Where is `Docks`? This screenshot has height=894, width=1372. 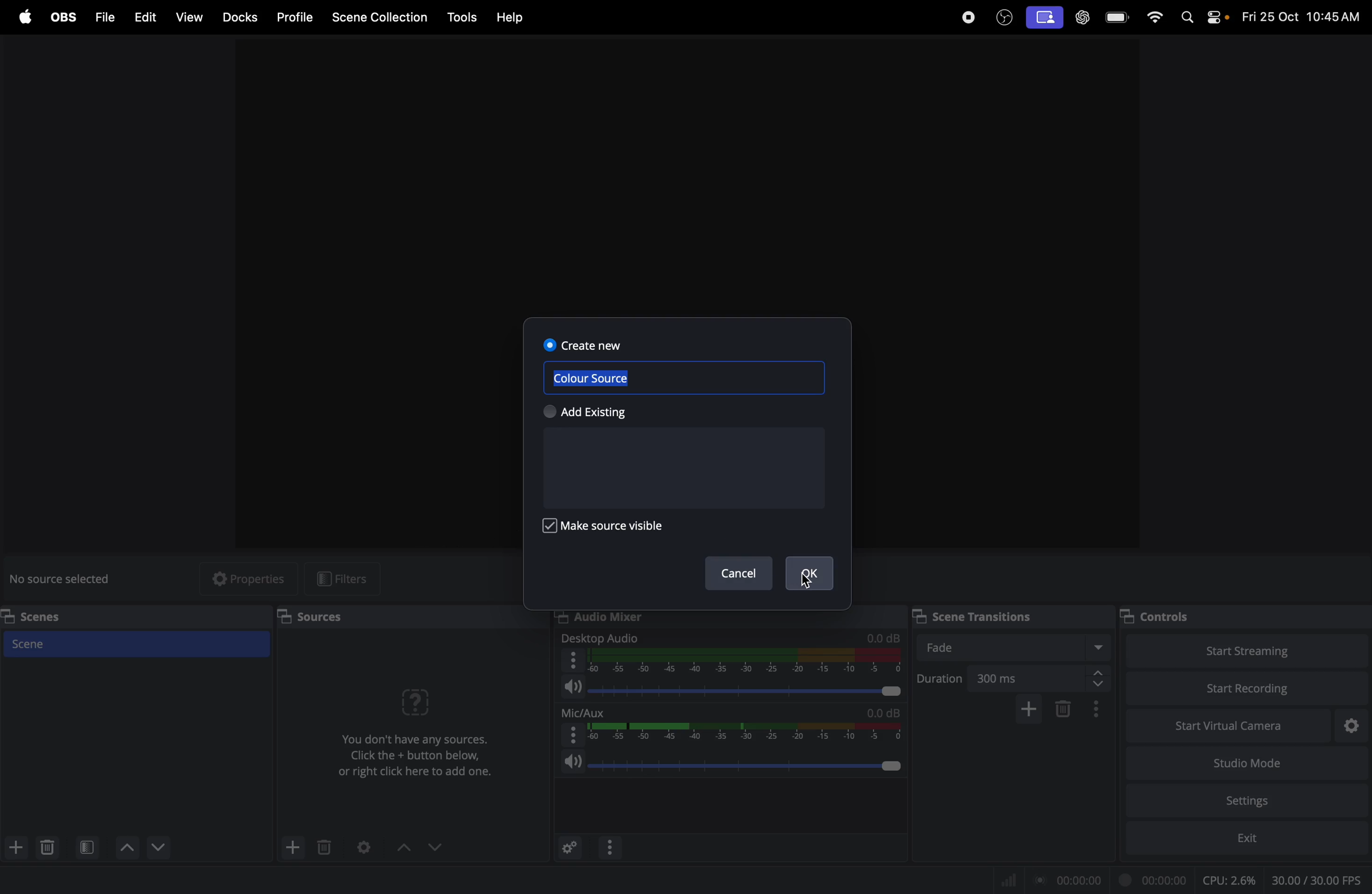 Docks is located at coordinates (237, 17).